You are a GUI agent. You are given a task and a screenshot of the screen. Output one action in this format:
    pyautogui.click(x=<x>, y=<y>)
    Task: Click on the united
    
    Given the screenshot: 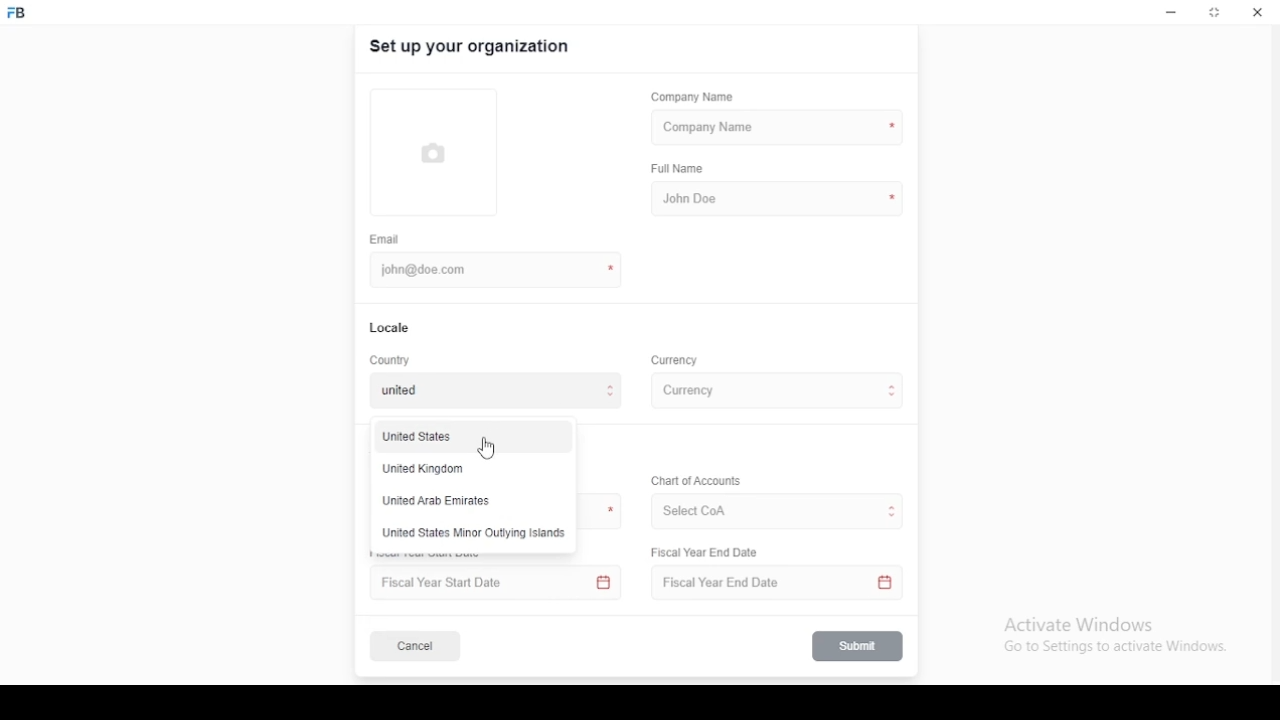 What is the action you would take?
    pyautogui.click(x=399, y=390)
    